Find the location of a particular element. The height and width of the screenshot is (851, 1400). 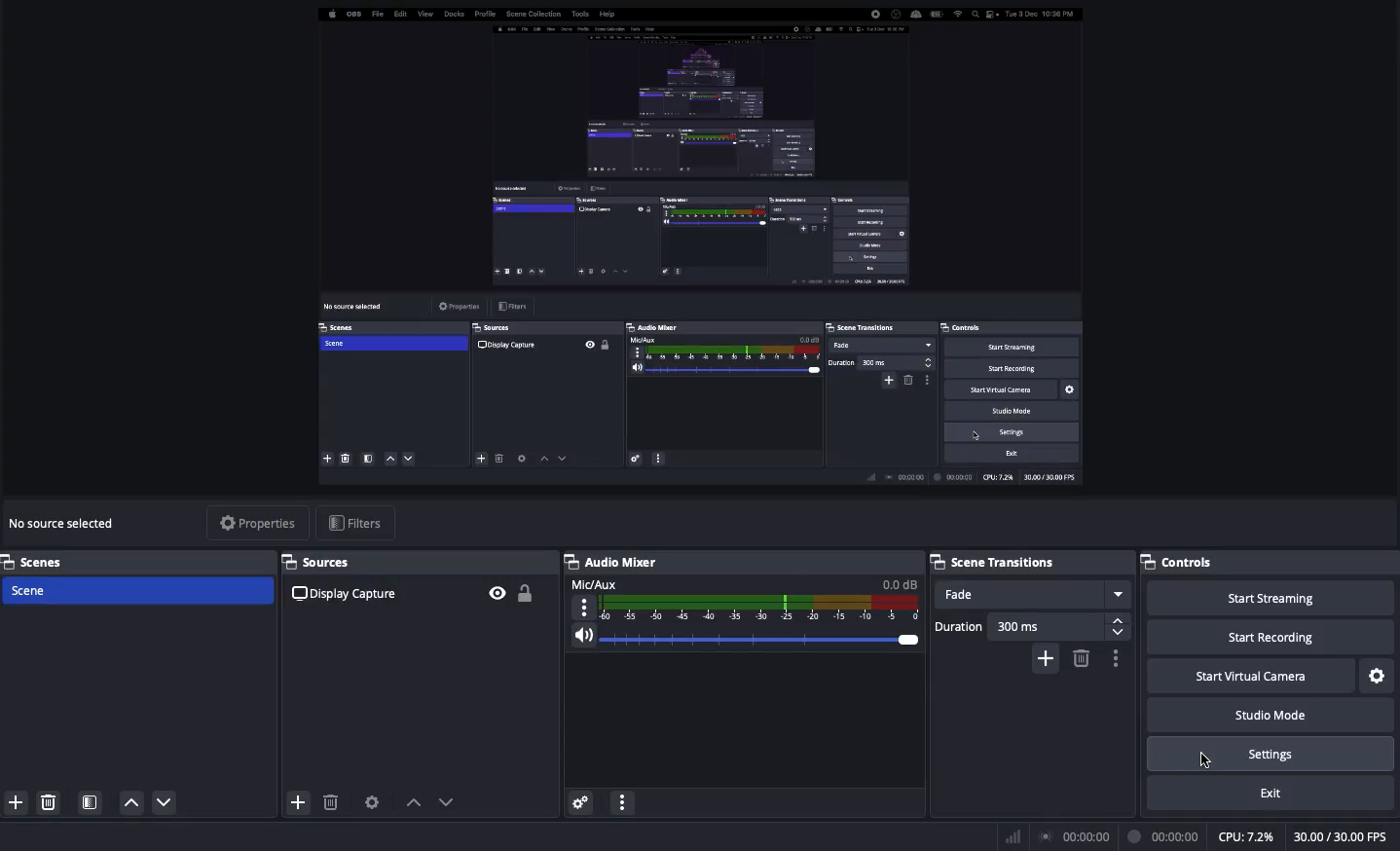

Delete is located at coordinates (333, 802).